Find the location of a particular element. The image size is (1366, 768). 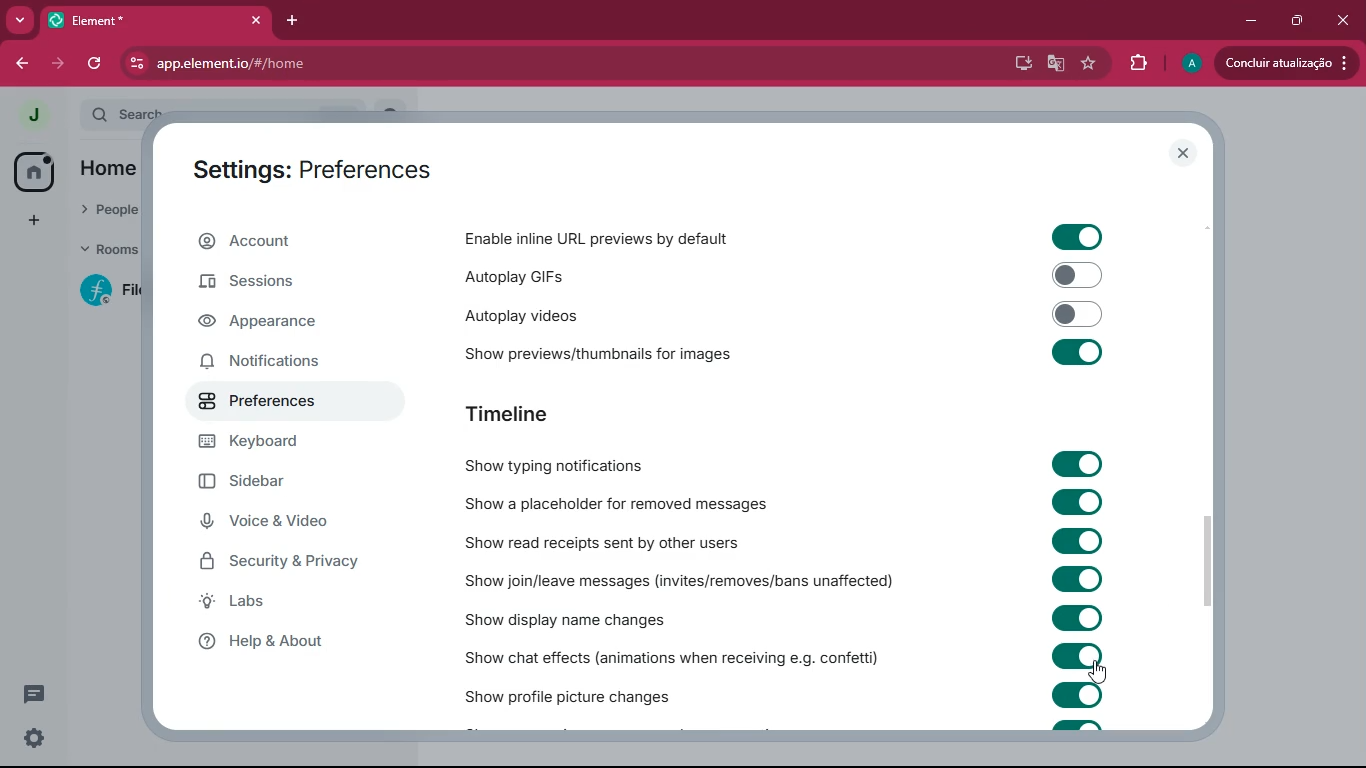

desktop is located at coordinates (1018, 64).